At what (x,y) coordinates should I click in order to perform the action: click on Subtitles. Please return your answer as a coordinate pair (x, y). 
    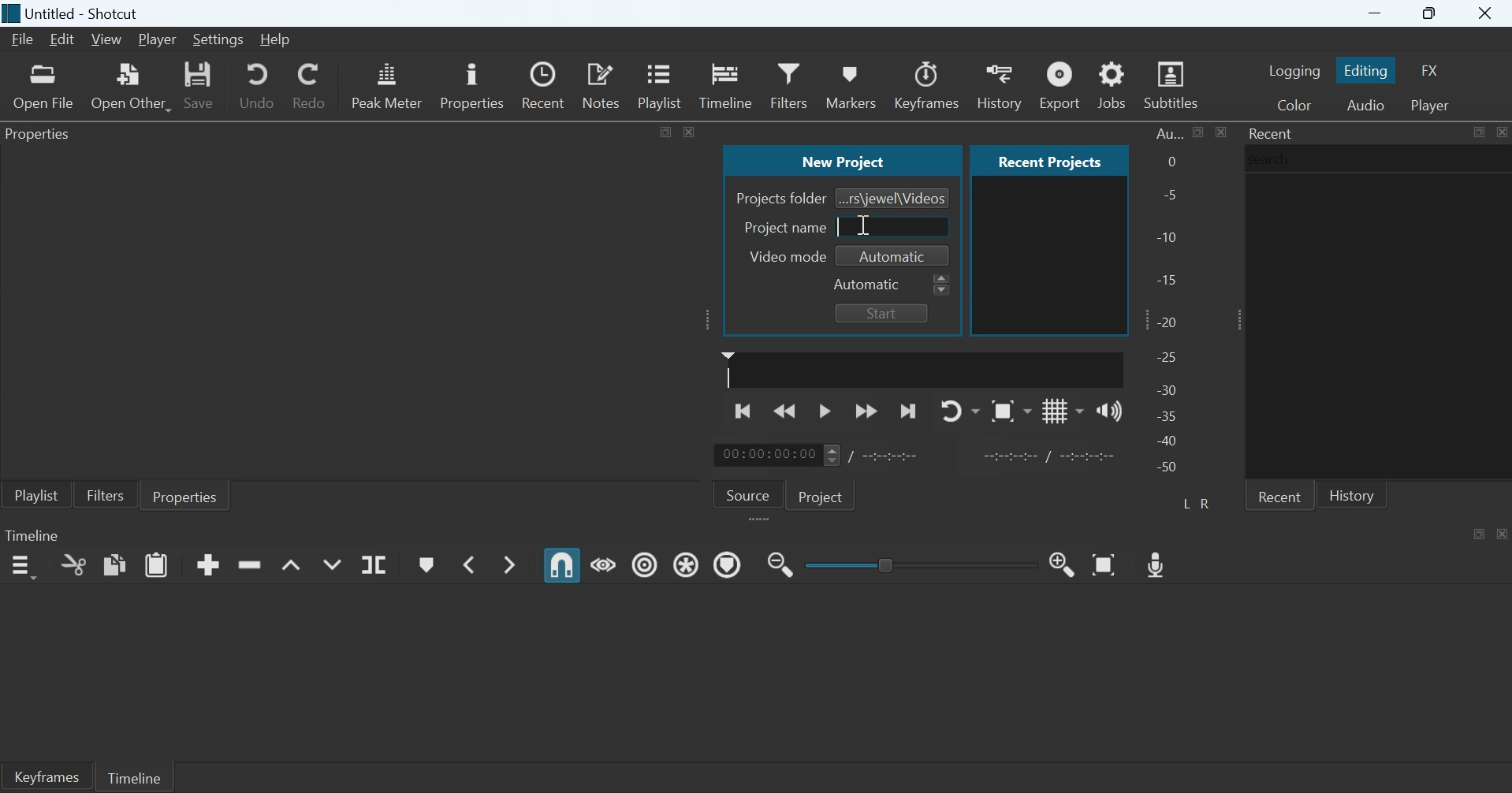
    Looking at the image, I should click on (1173, 85).